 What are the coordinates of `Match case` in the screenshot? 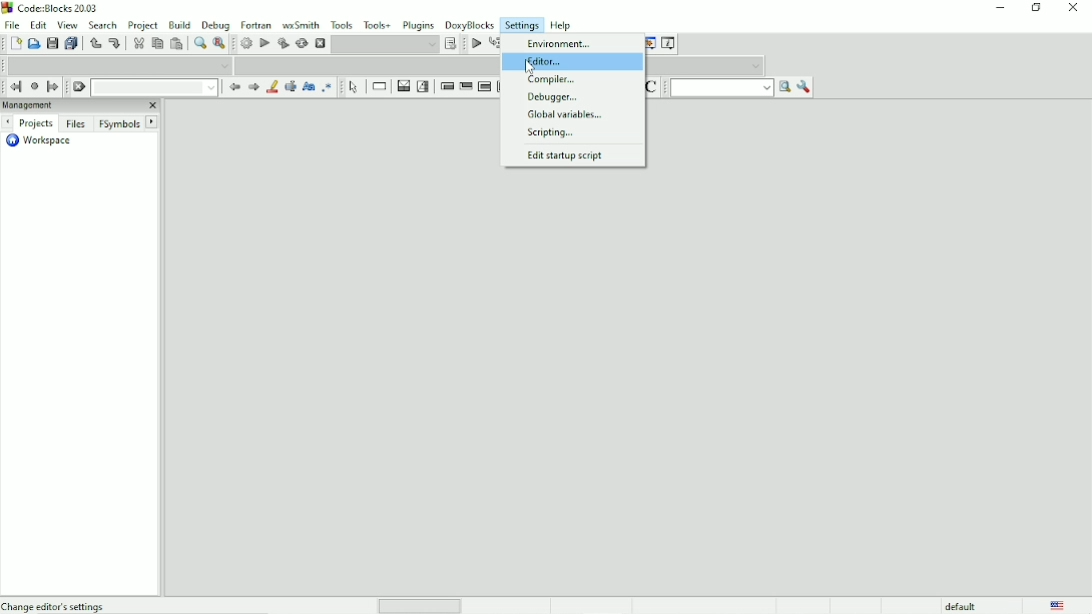 It's located at (308, 87).